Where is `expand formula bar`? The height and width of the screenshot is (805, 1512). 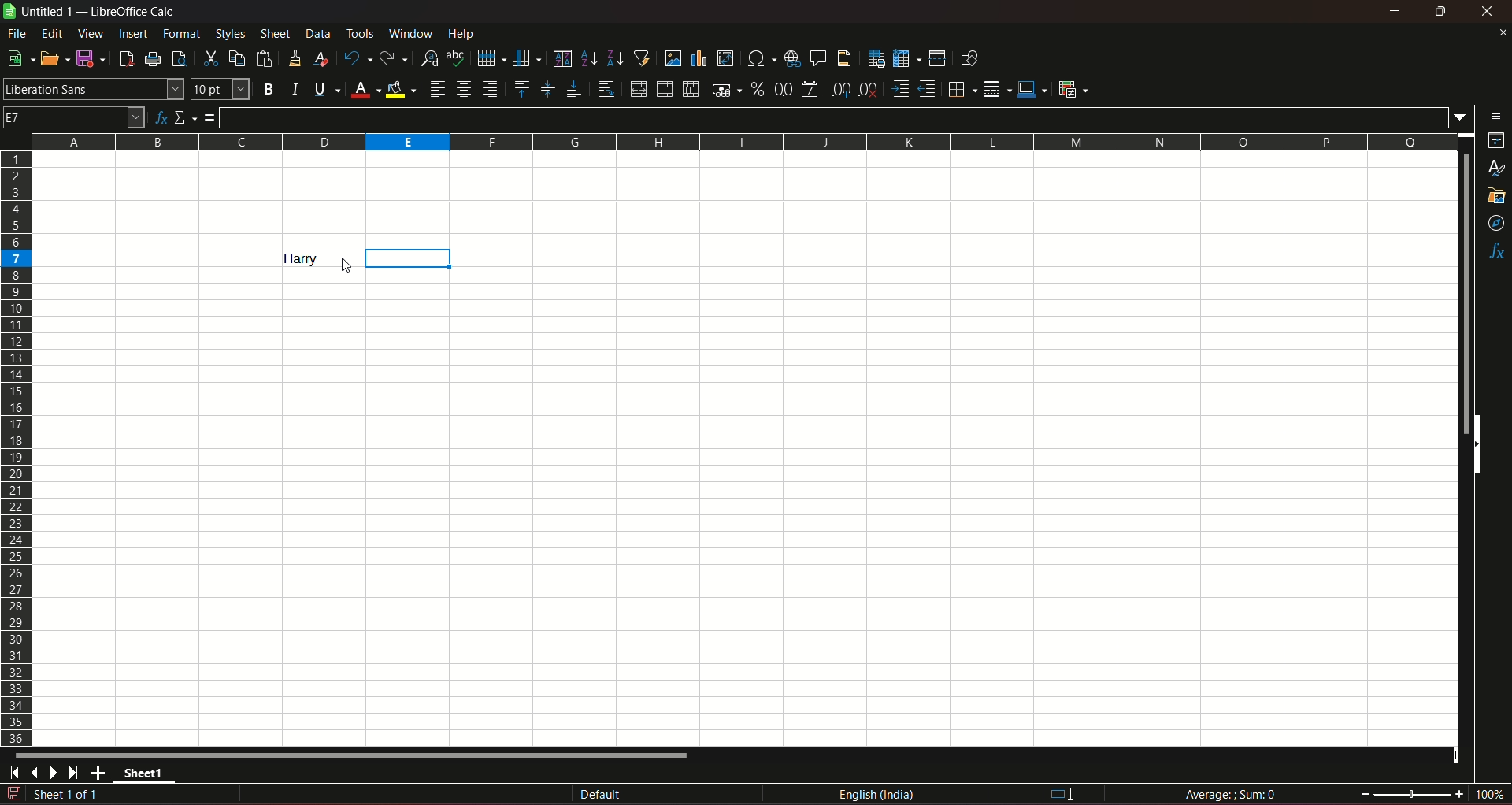 expand formula bar is located at coordinates (1464, 116).